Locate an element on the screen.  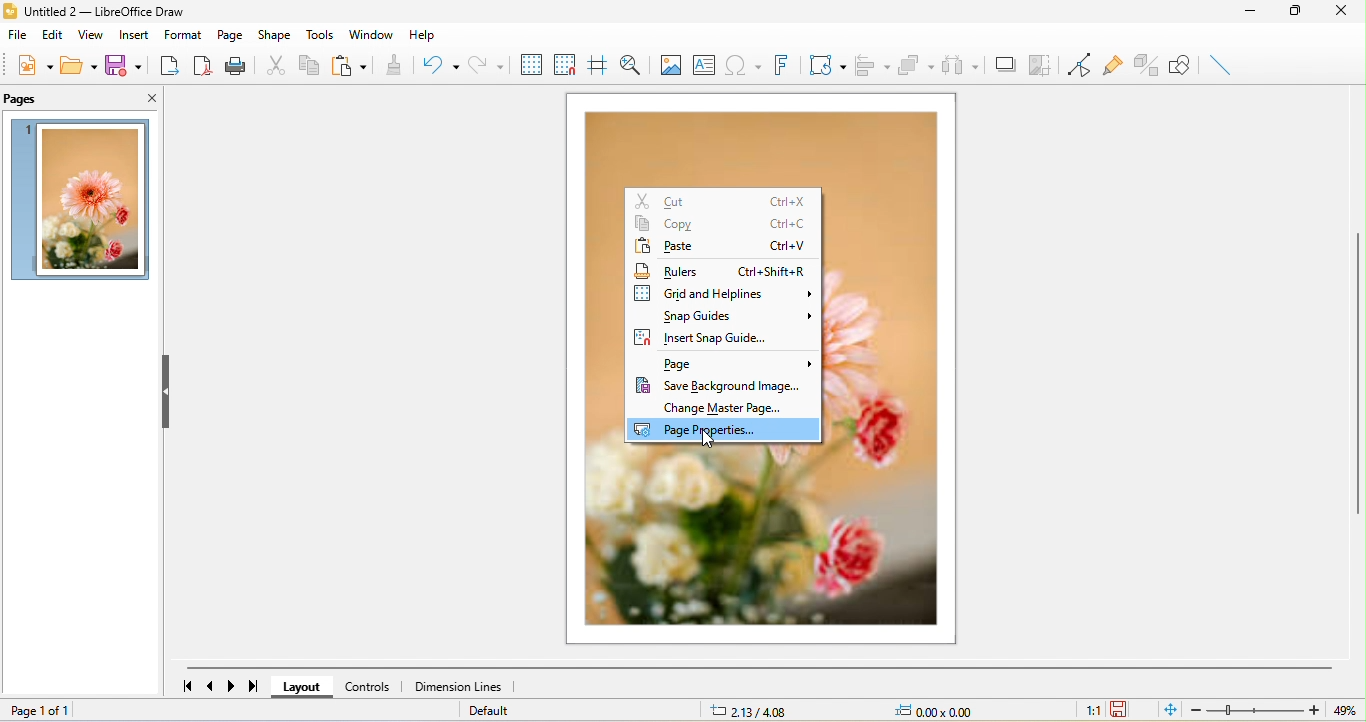
arrange is located at coordinates (914, 65).